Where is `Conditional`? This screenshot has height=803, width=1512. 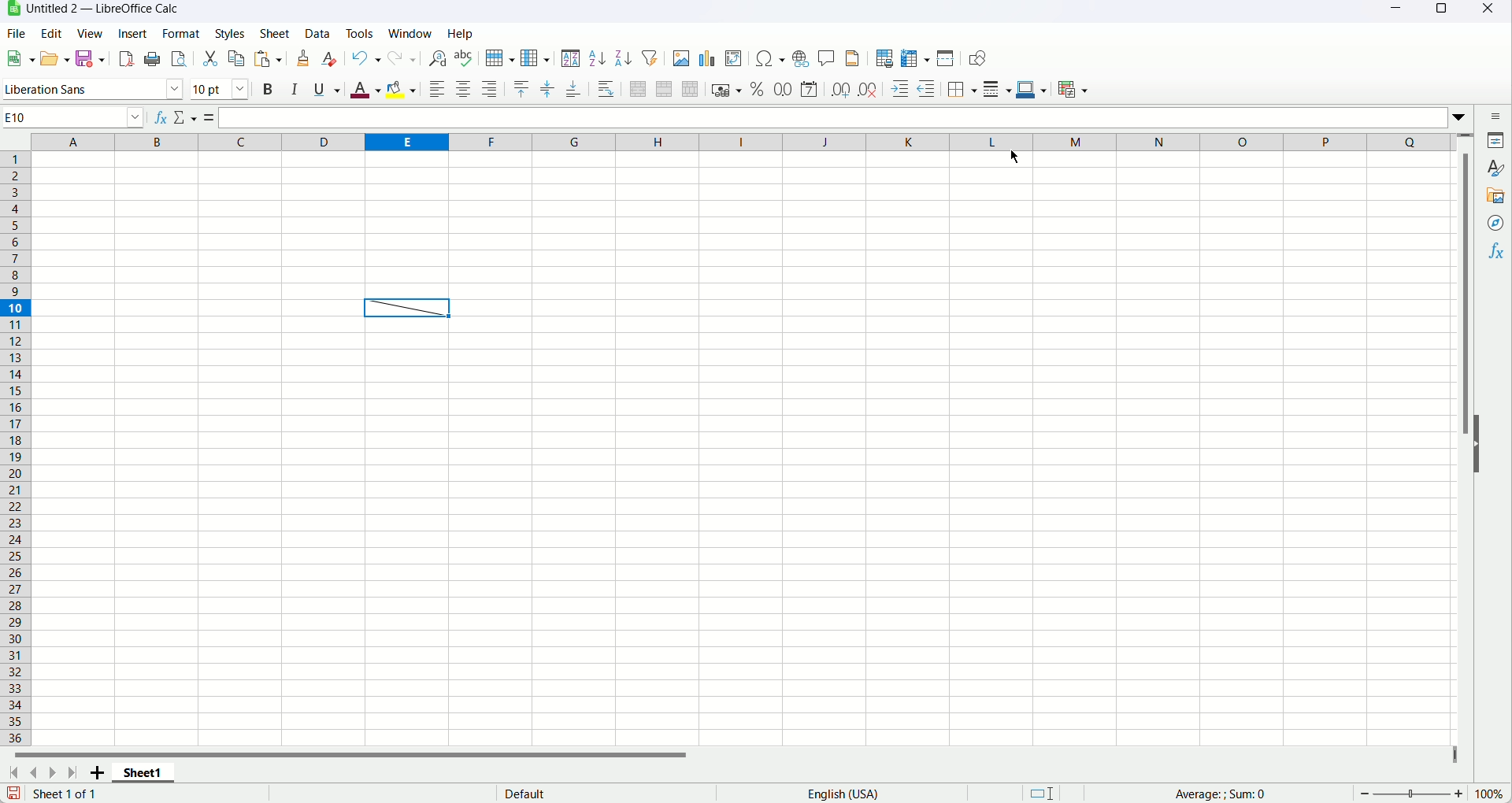
Conditional is located at coordinates (1072, 90).